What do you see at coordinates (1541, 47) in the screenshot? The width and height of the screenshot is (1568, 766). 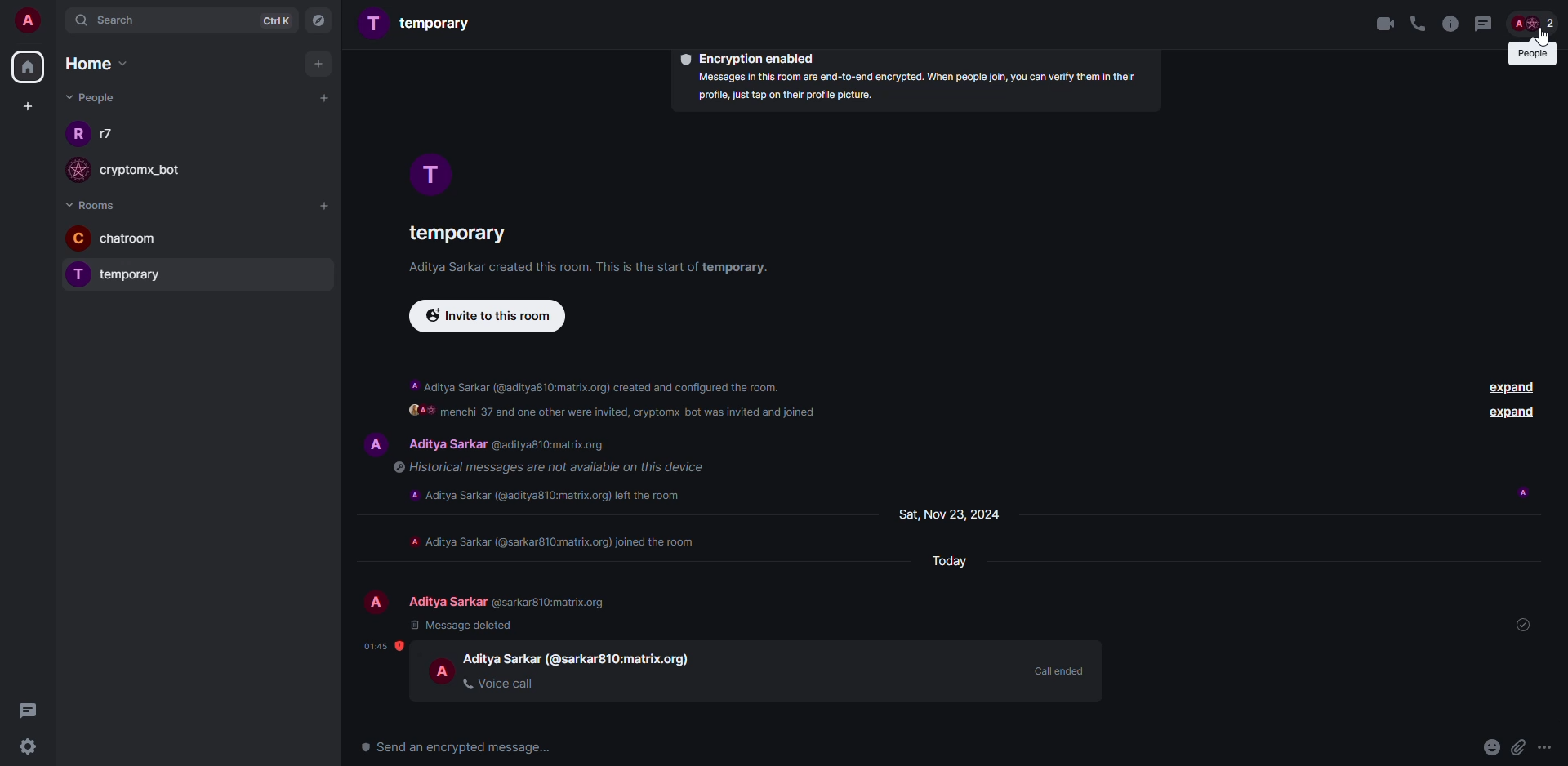 I see `cursor` at bounding box center [1541, 47].